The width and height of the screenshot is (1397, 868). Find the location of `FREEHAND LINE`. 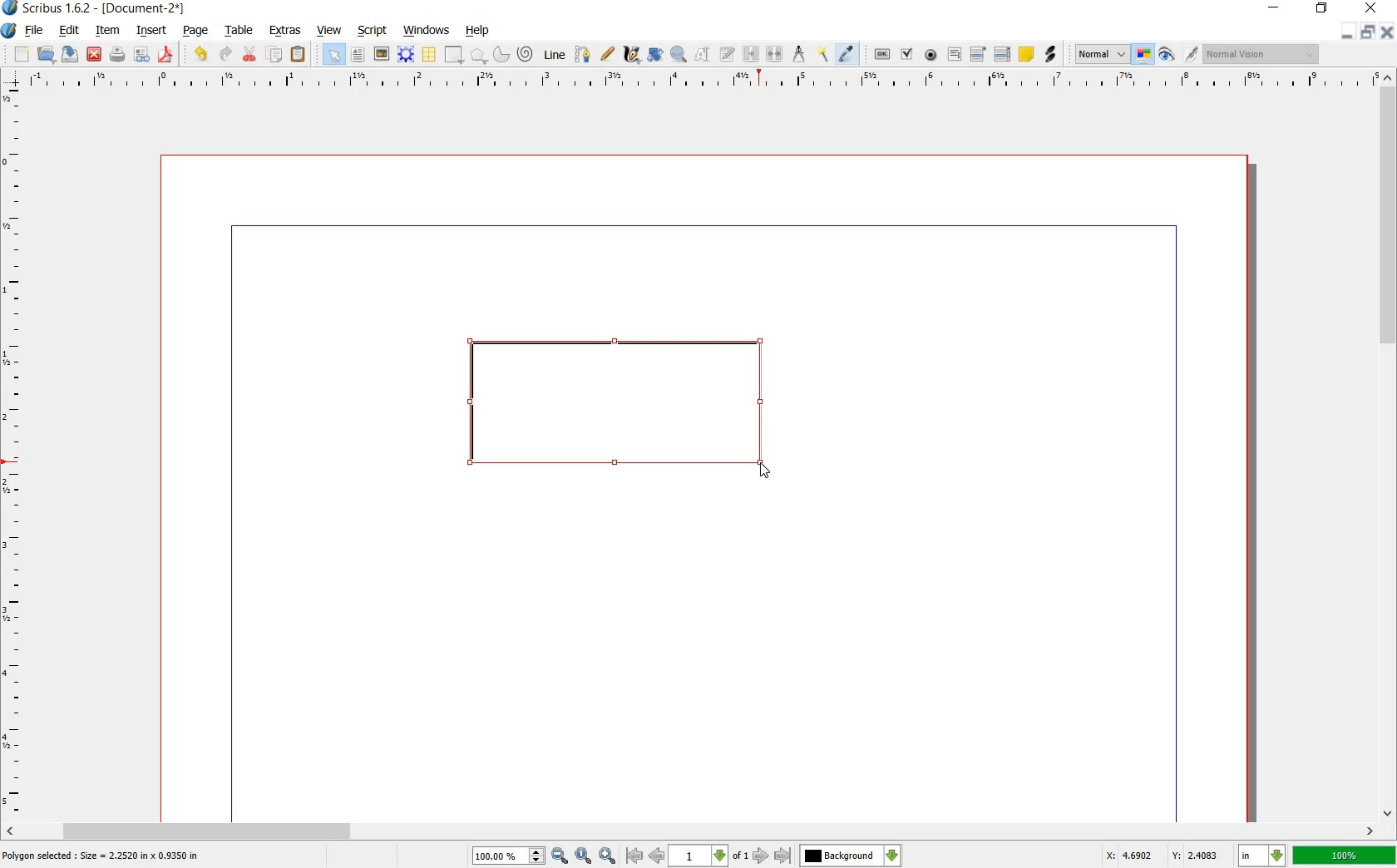

FREEHAND LINE is located at coordinates (608, 55).